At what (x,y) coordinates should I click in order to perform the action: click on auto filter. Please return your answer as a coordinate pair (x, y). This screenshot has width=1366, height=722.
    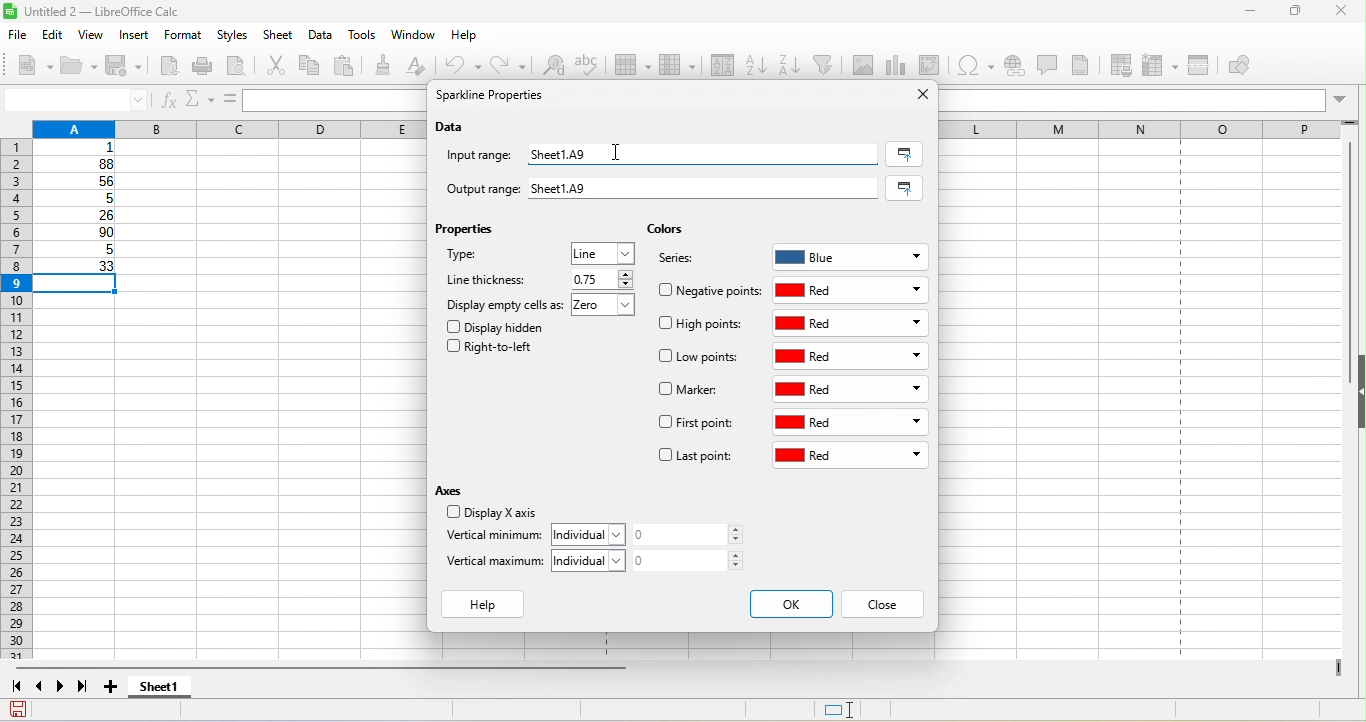
    Looking at the image, I should click on (826, 65).